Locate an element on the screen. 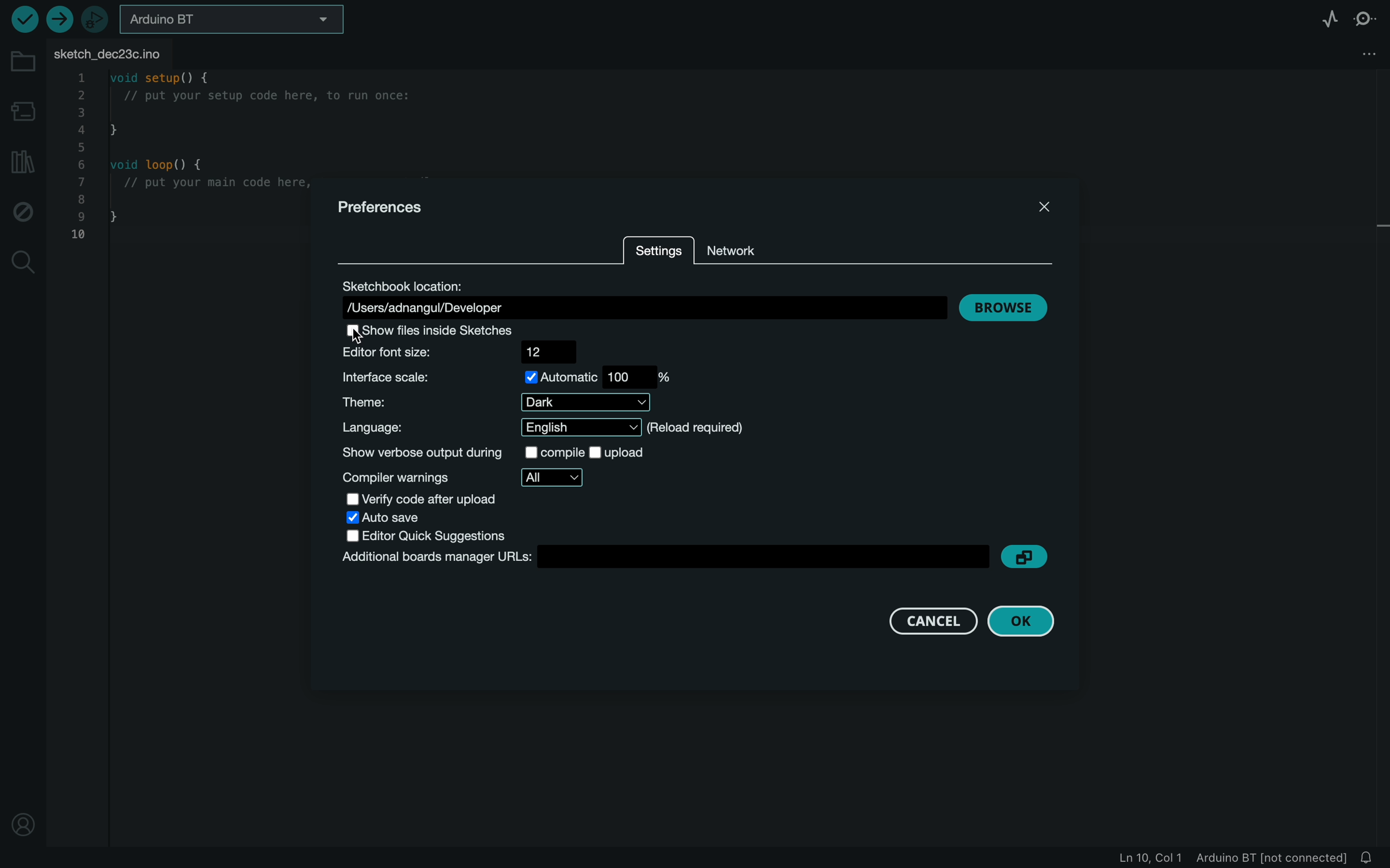  debug is located at coordinates (24, 212).